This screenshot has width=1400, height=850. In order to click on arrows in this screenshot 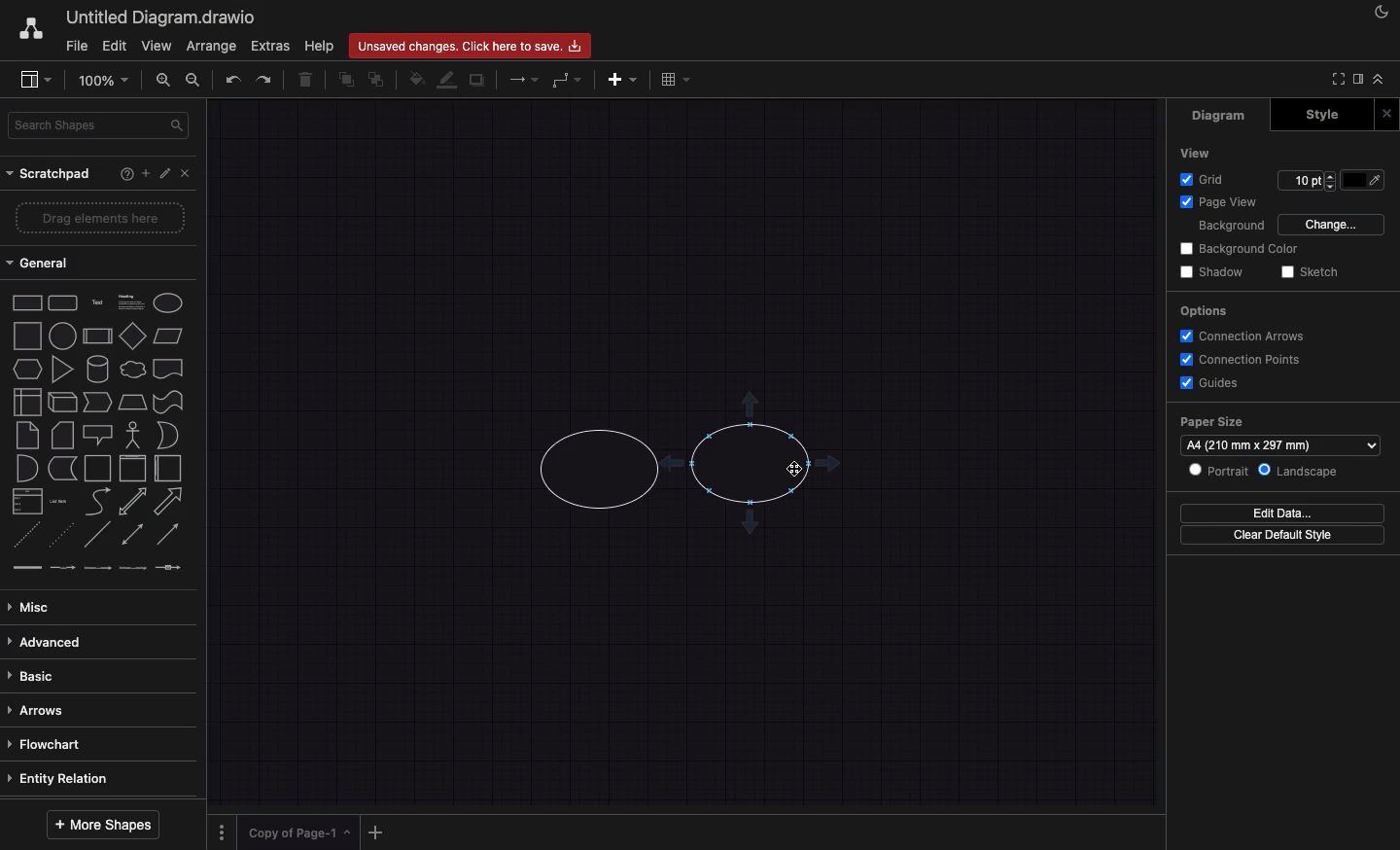, I will do `click(92, 712)`.